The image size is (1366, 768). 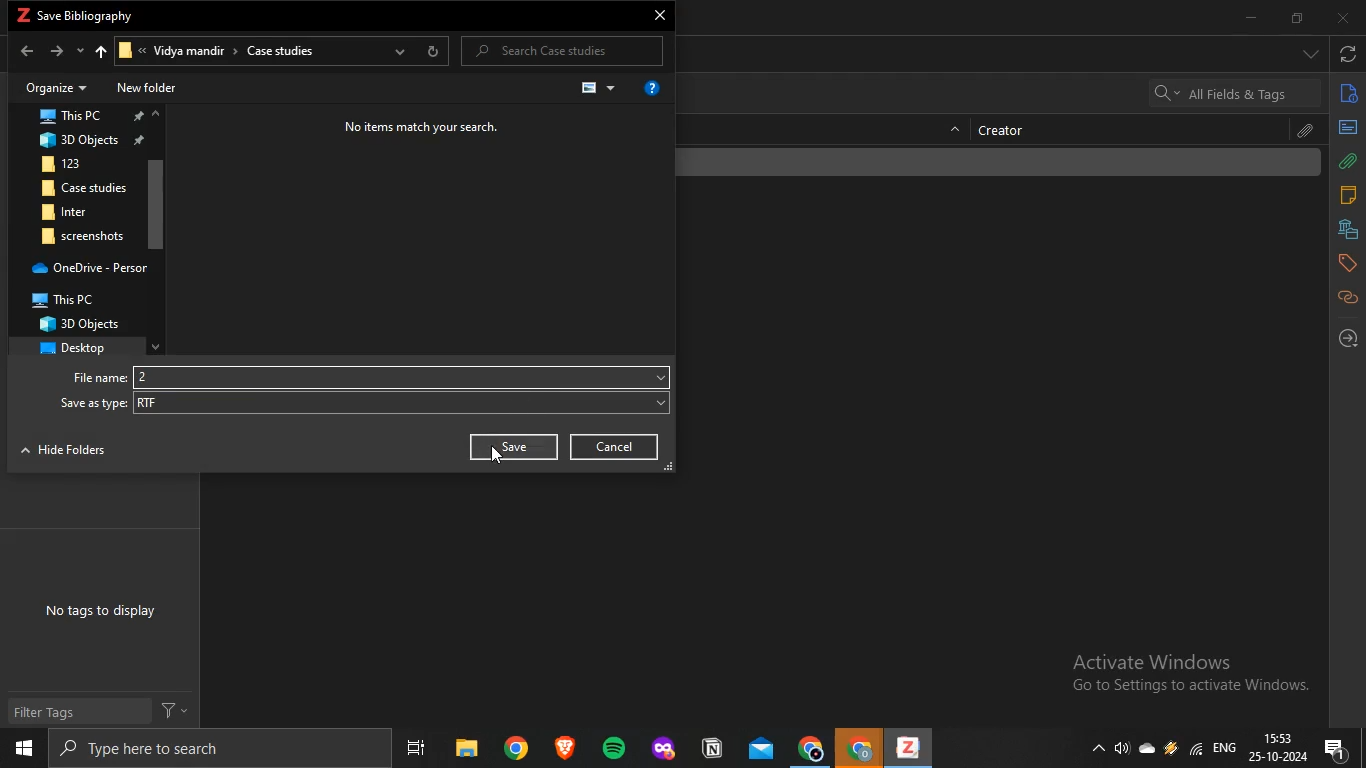 What do you see at coordinates (666, 749) in the screenshot?
I see `application` at bounding box center [666, 749].